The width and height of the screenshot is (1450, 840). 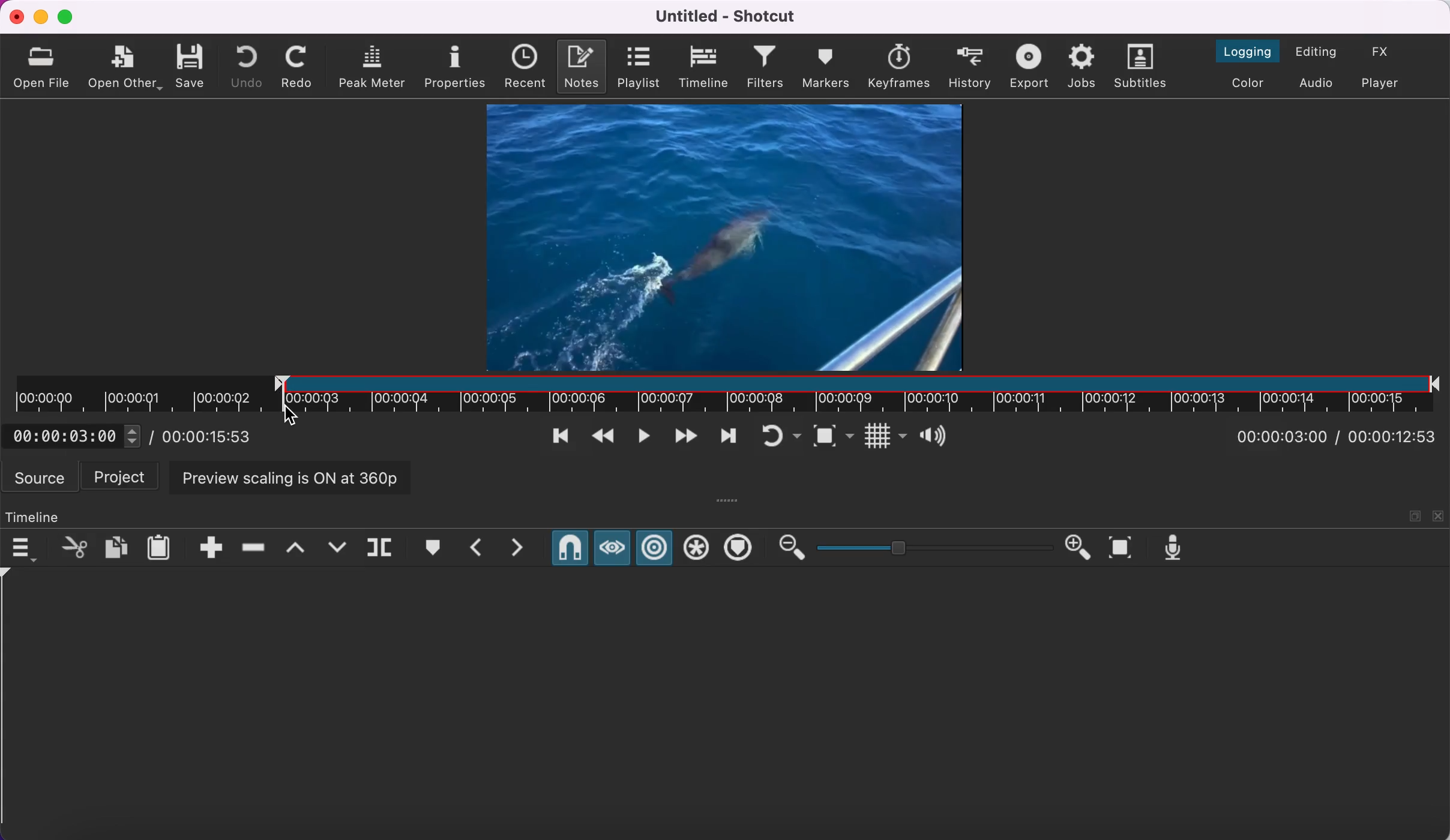 What do you see at coordinates (71, 545) in the screenshot?
I see `cut` at bounding box center [71, 545].